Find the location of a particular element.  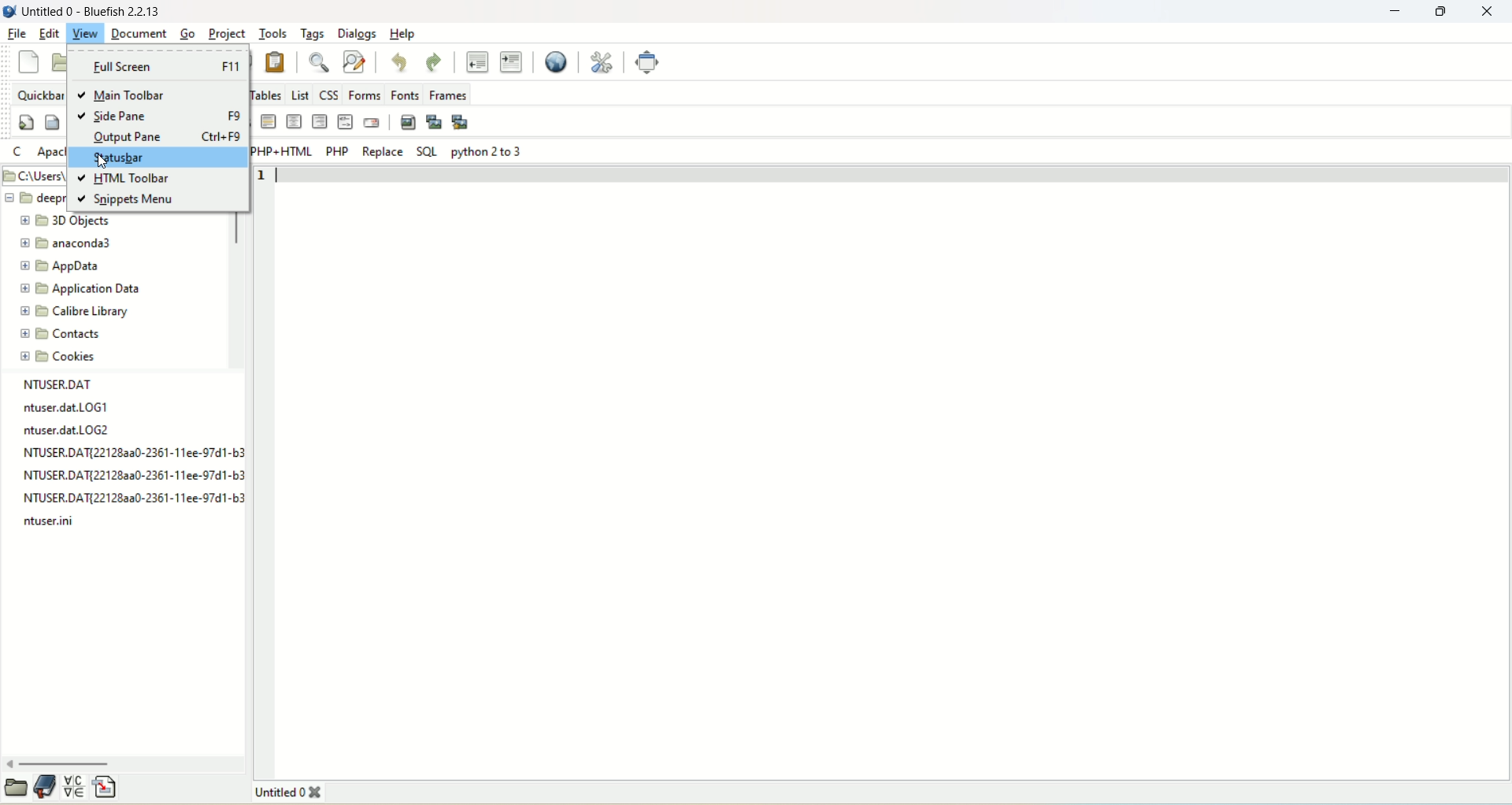

CSS is located at coordinates (328, 93).